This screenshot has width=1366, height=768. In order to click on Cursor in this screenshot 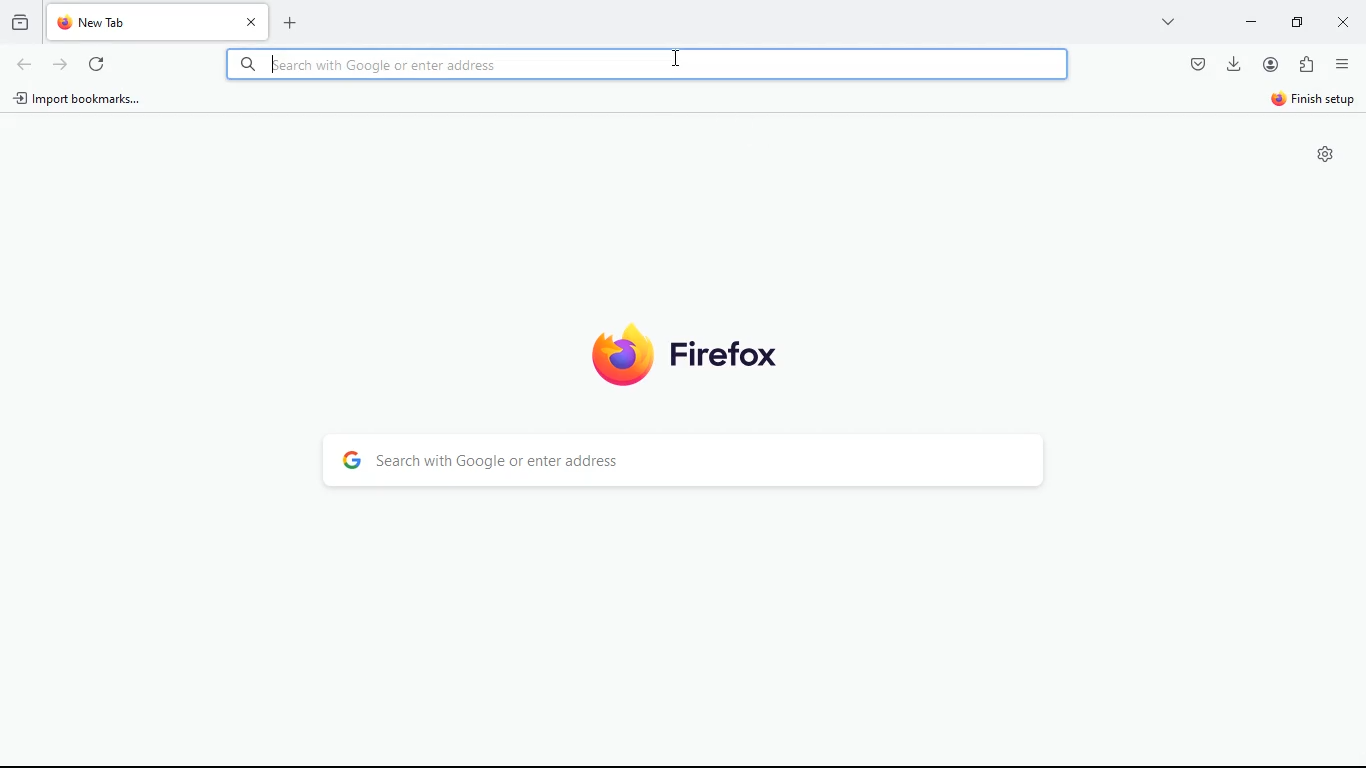, I will do `click(680, 59)`.